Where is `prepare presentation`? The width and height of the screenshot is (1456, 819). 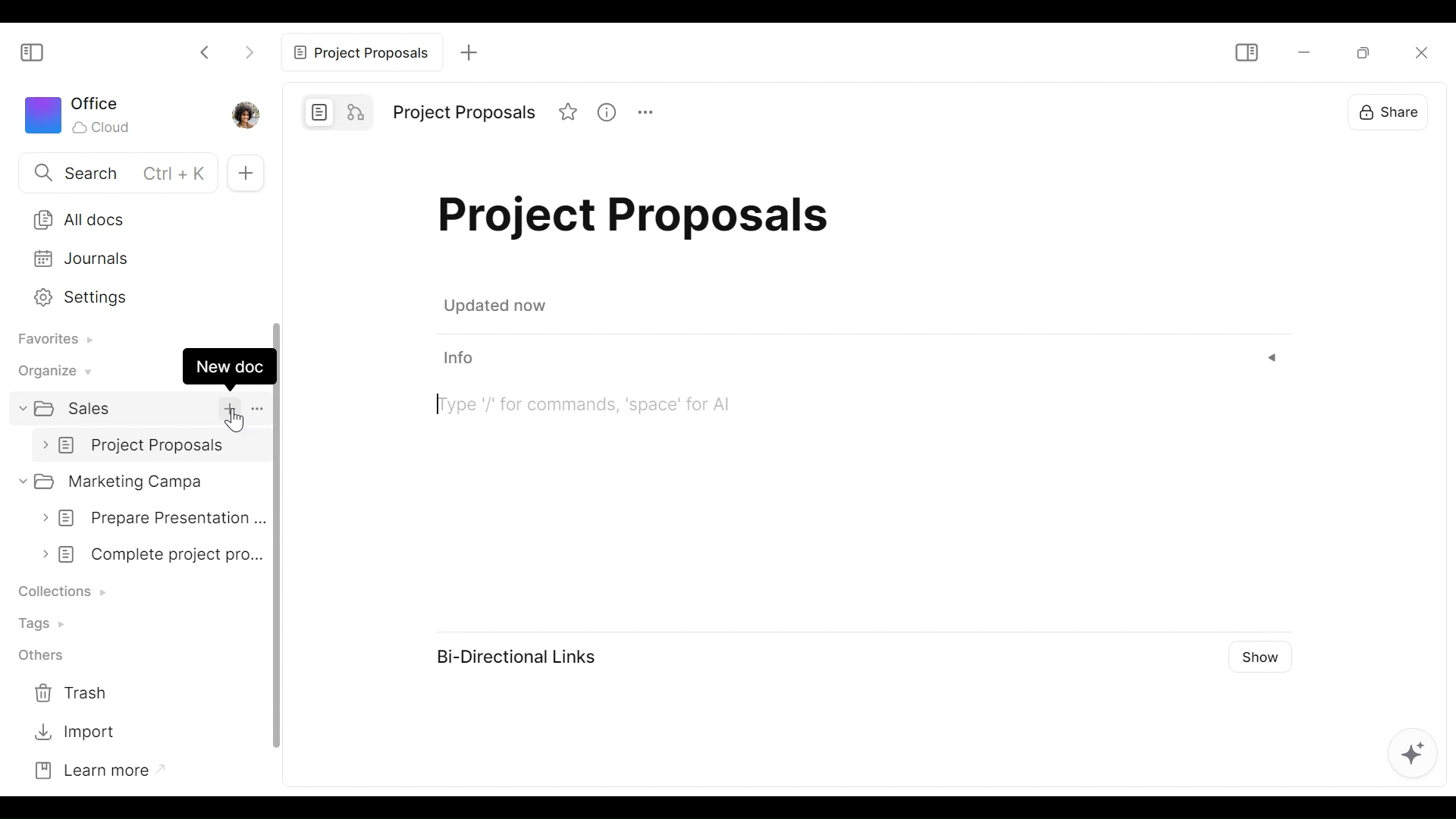
prepare presentation is located at coordinates (152, 516).